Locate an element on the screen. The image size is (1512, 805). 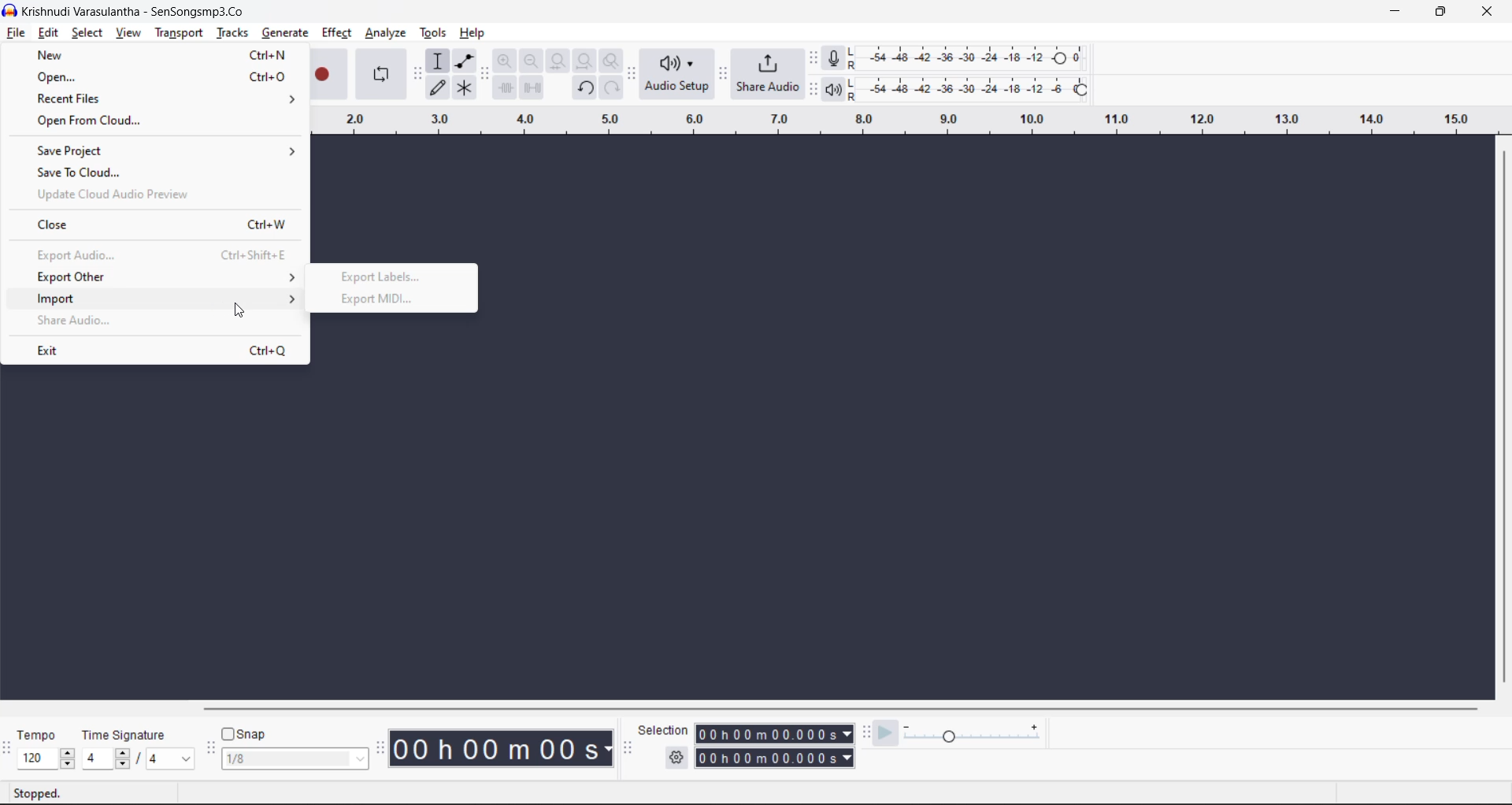
00 h 00m 00.000s is located at coordinates (776, 759).